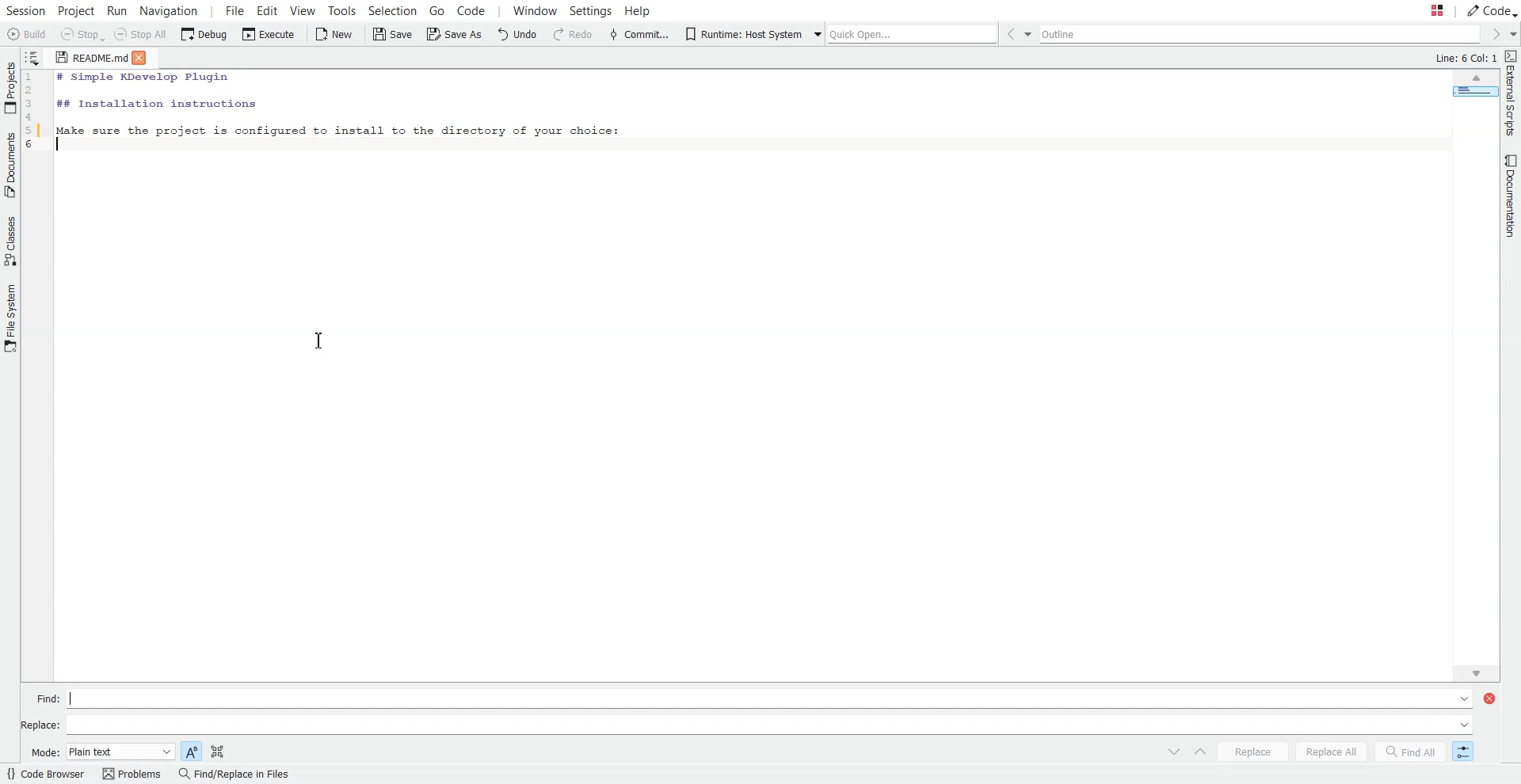 This screenshot has height=784, width=1521. What do you see at coordinates (191, 750) in the screenshot?
I see `Match case sensitive` at bounding box center [191, 750].